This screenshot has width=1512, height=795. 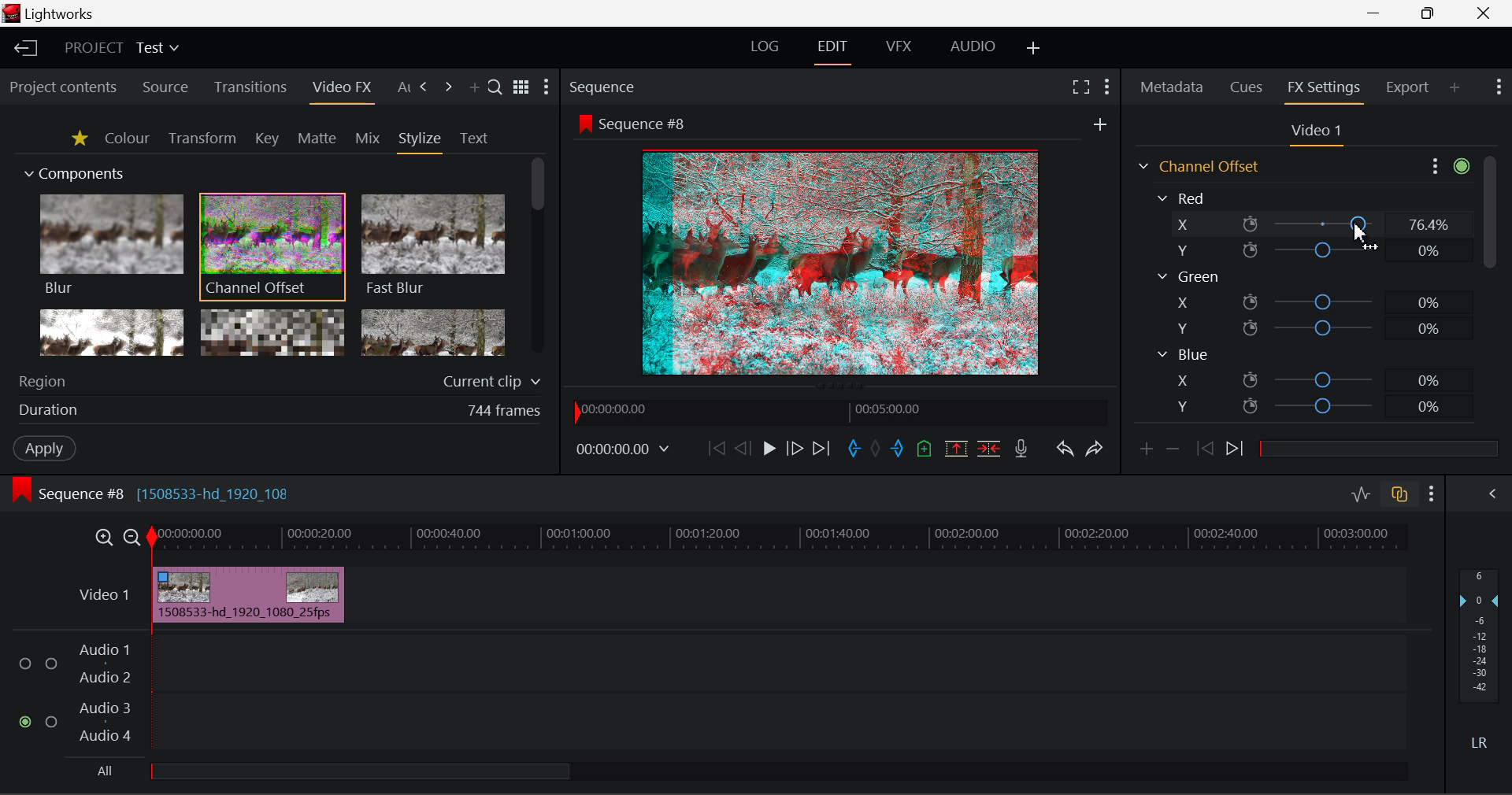 I want to click on Minimize, so click(x=1431, y=13).